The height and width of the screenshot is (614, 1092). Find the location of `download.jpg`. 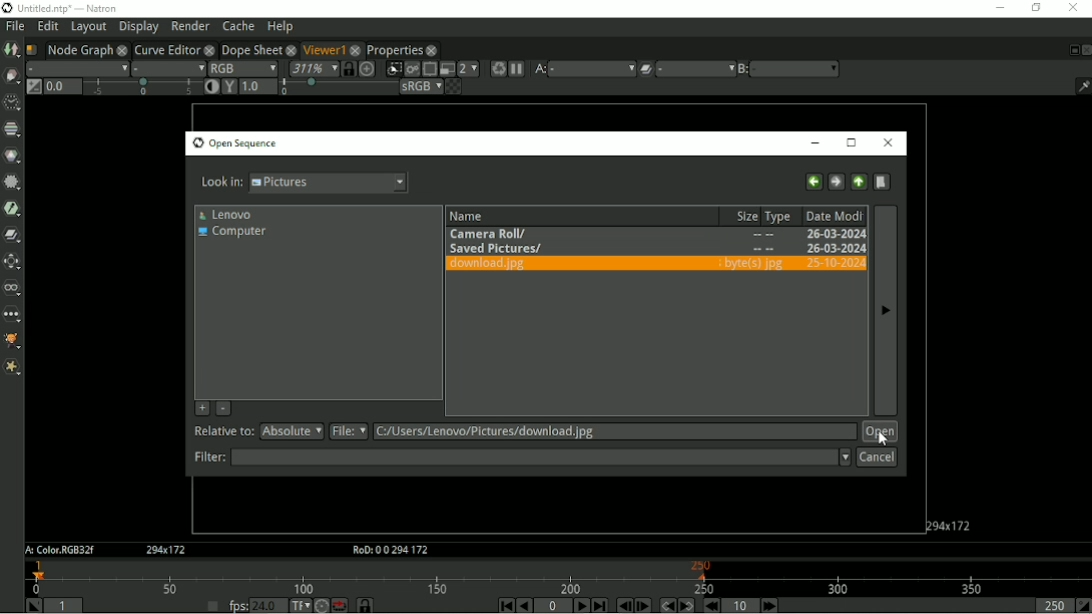

download.jpg is located at coordinates (657, 264).